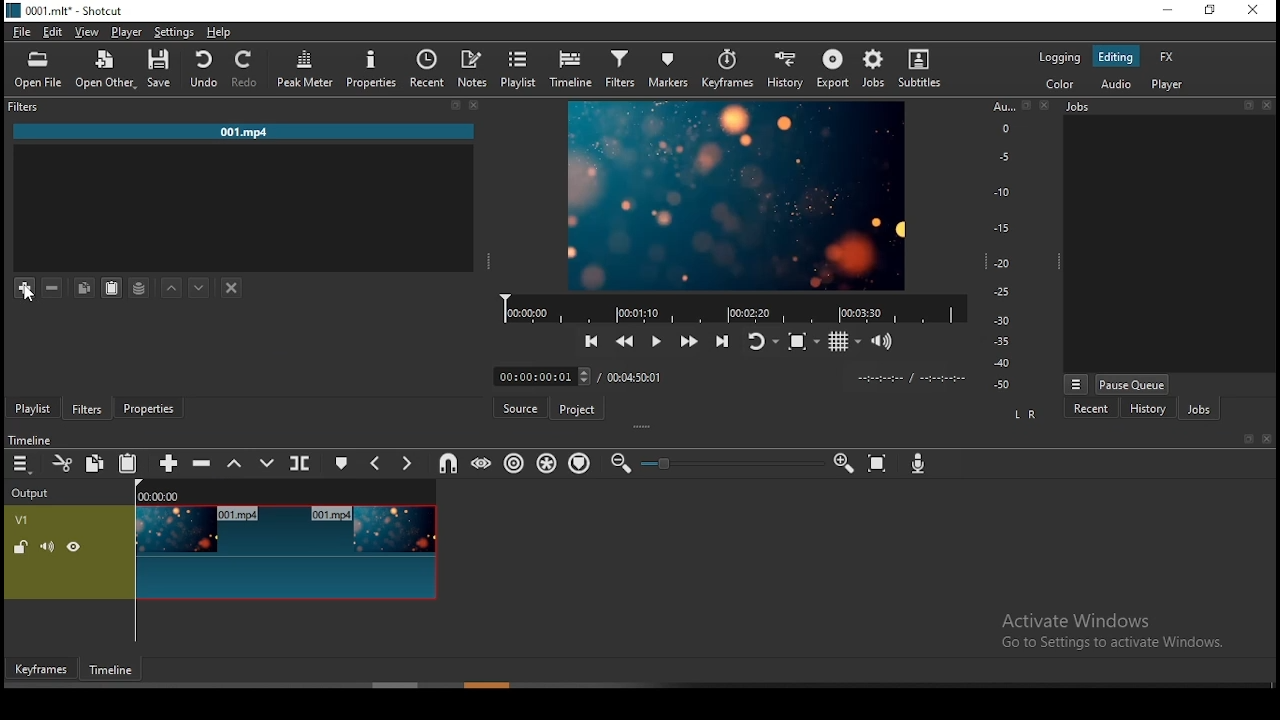 The width and height of the screenshot is (1280, 720). What do you see at coordinates (918, 463) in the screenshot?
I see `record audio` at bounding box center [918, 463].